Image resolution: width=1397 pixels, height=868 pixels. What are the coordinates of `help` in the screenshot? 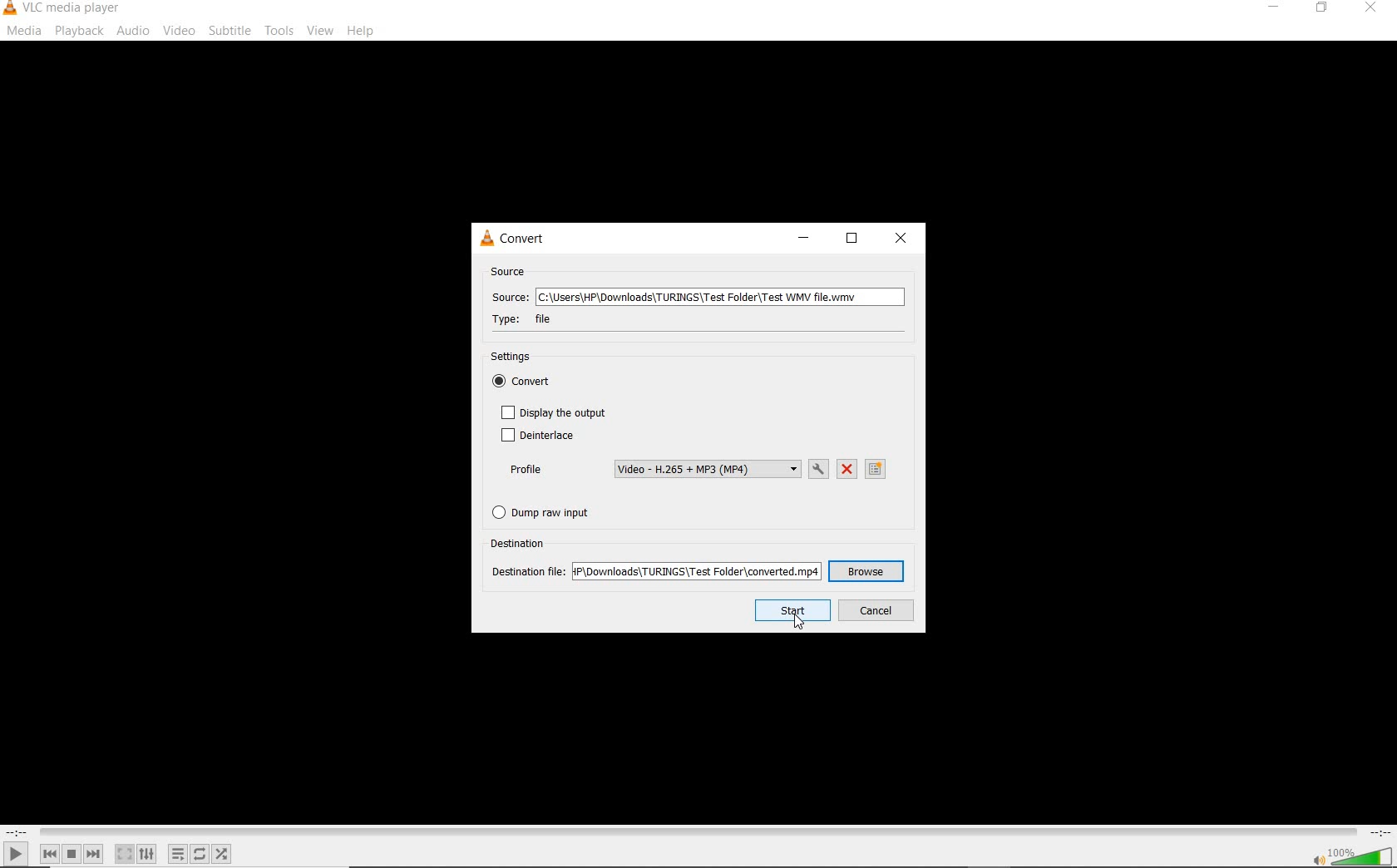 It's located at (361, 32).